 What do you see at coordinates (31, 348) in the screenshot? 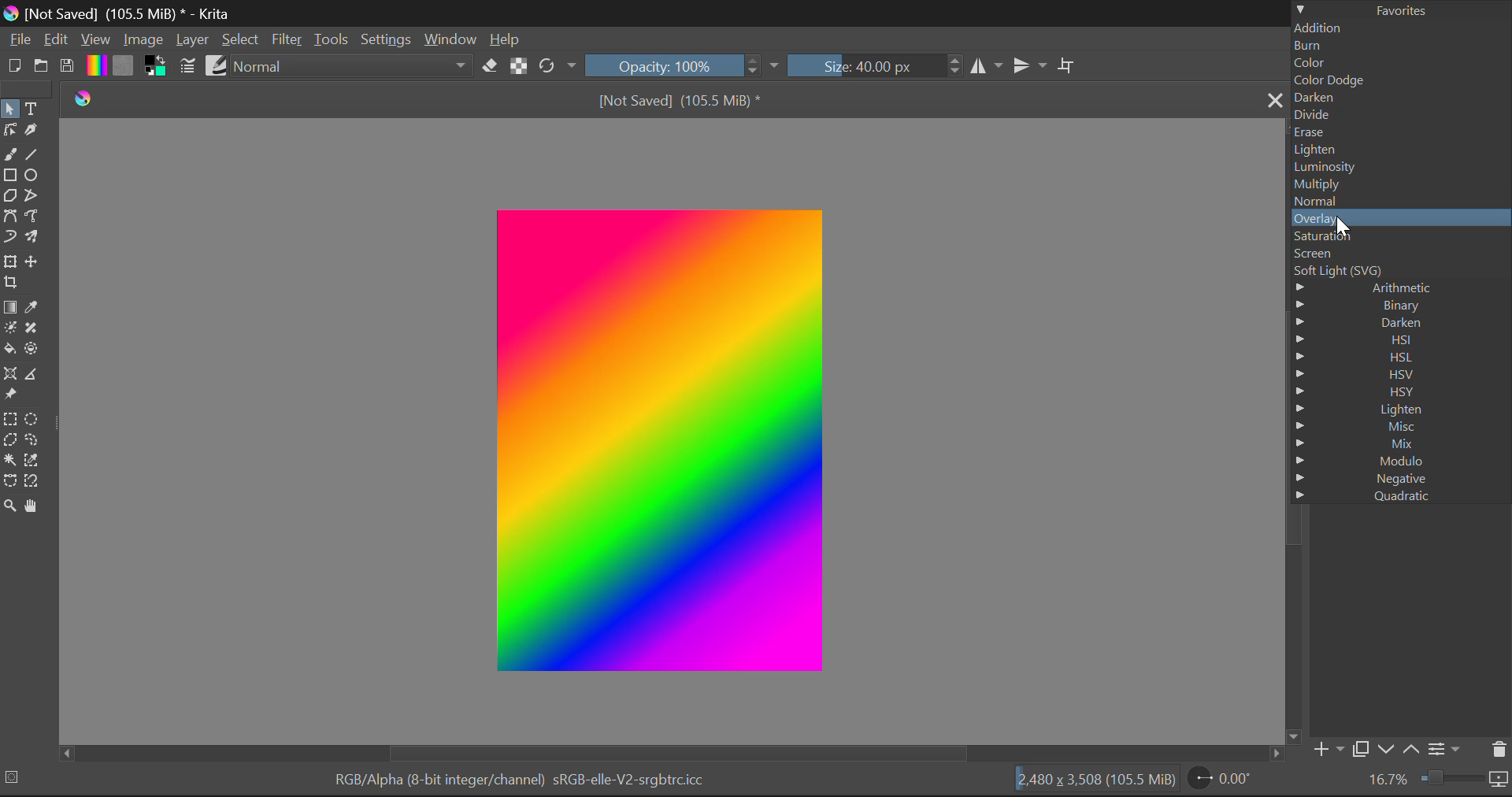
I see `Enclose and Fill` at bounding box center [31, 348].